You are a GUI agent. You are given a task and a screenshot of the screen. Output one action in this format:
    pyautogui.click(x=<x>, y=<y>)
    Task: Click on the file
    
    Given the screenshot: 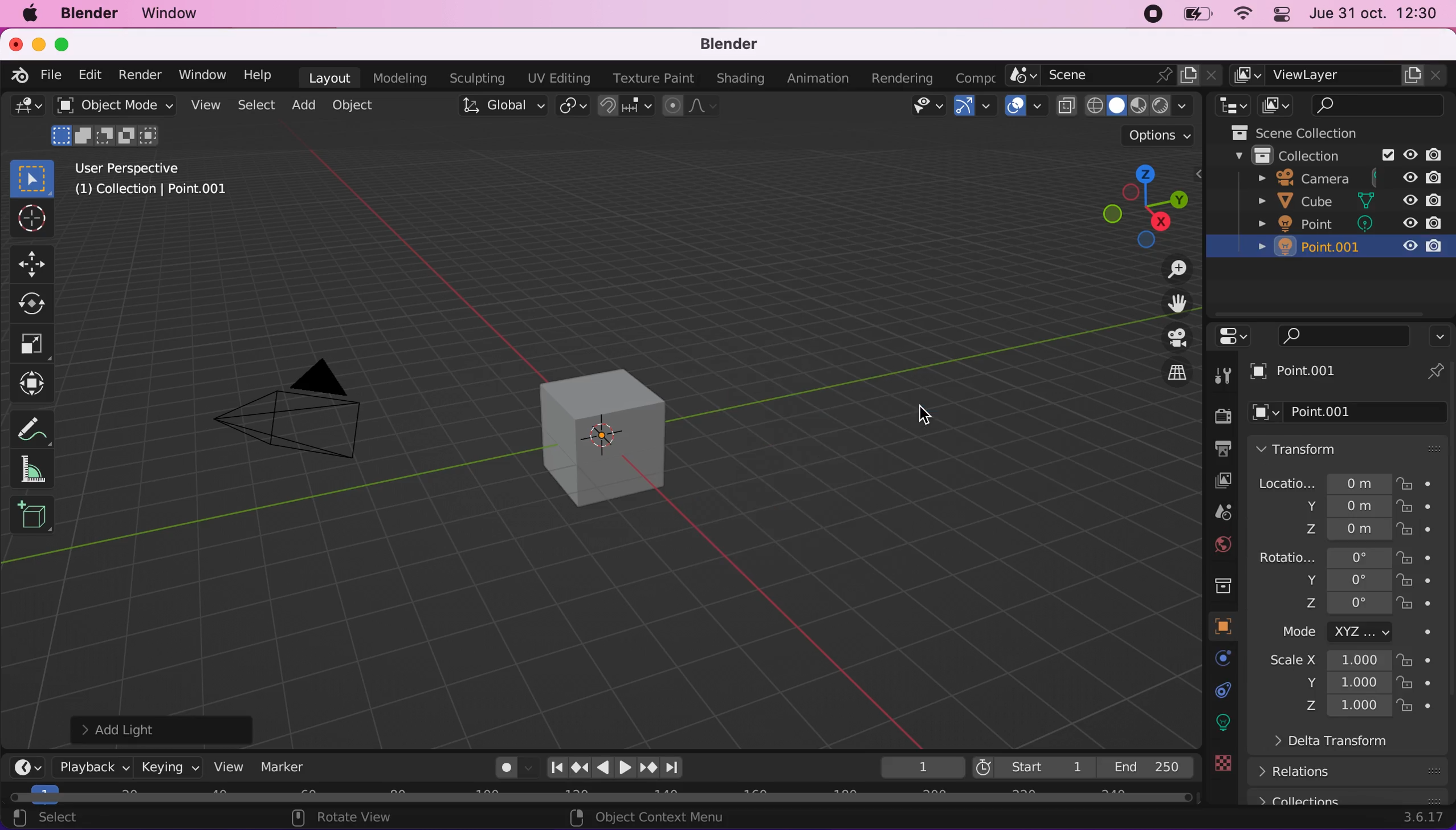 What is the action you would take?
    pyautogui.click(x=55, y=76)
    